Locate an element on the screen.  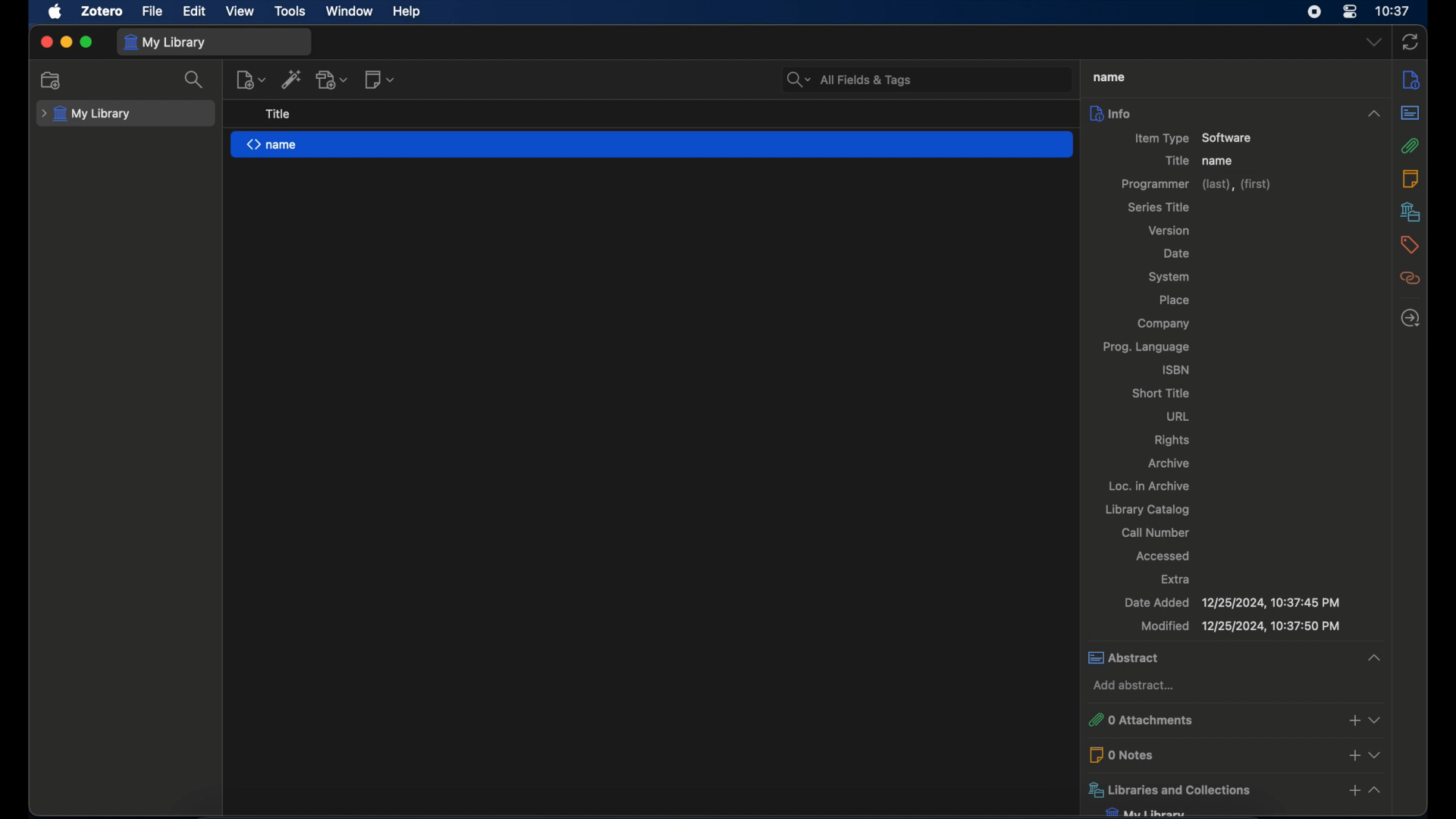
add item  by identifier is located at coordinates (292, 81).